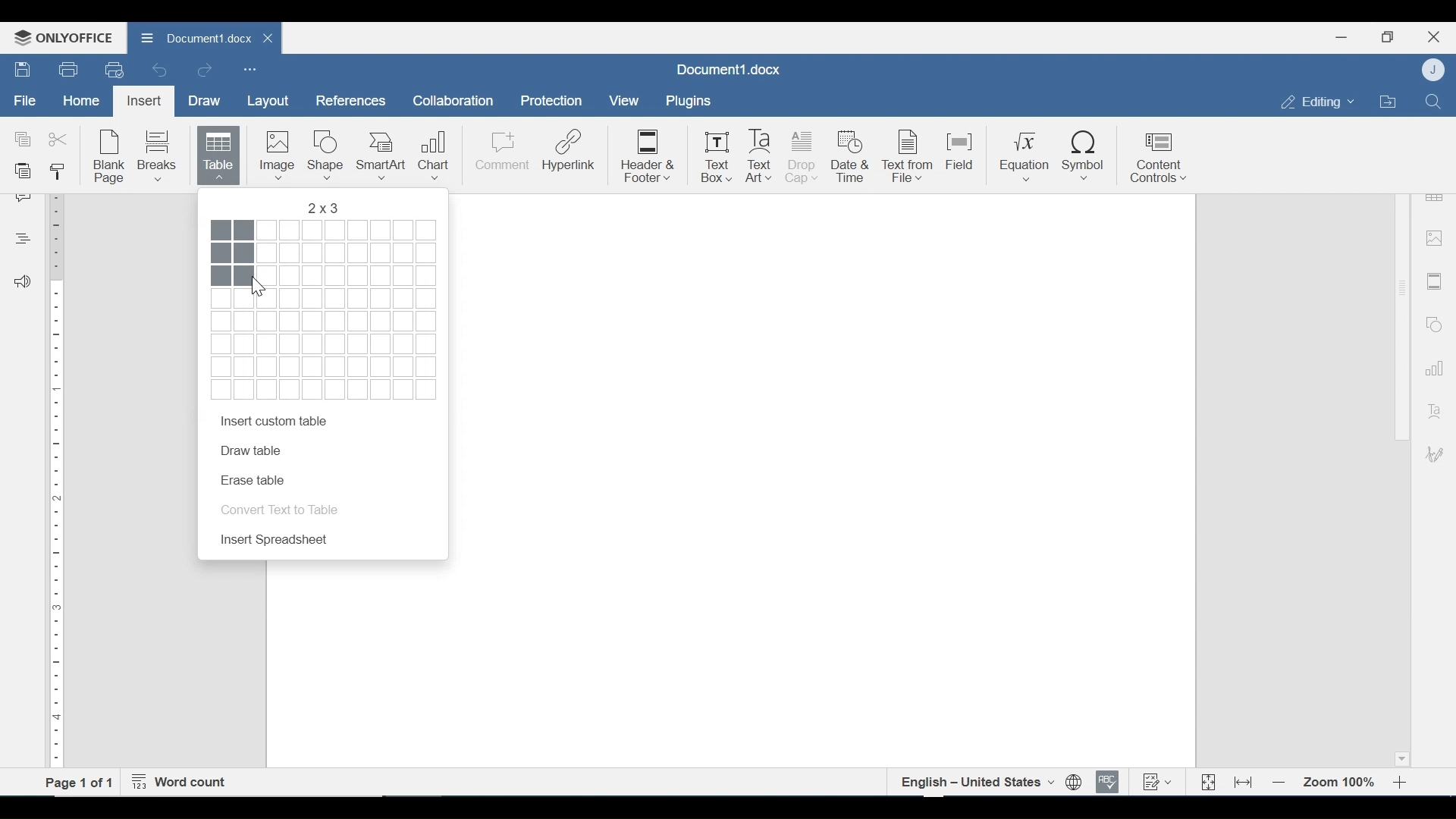  What do you see at coordinates (1340, 783) in the screenshot?
I see `Zoom 100%` at bounding box center [1340, 783].